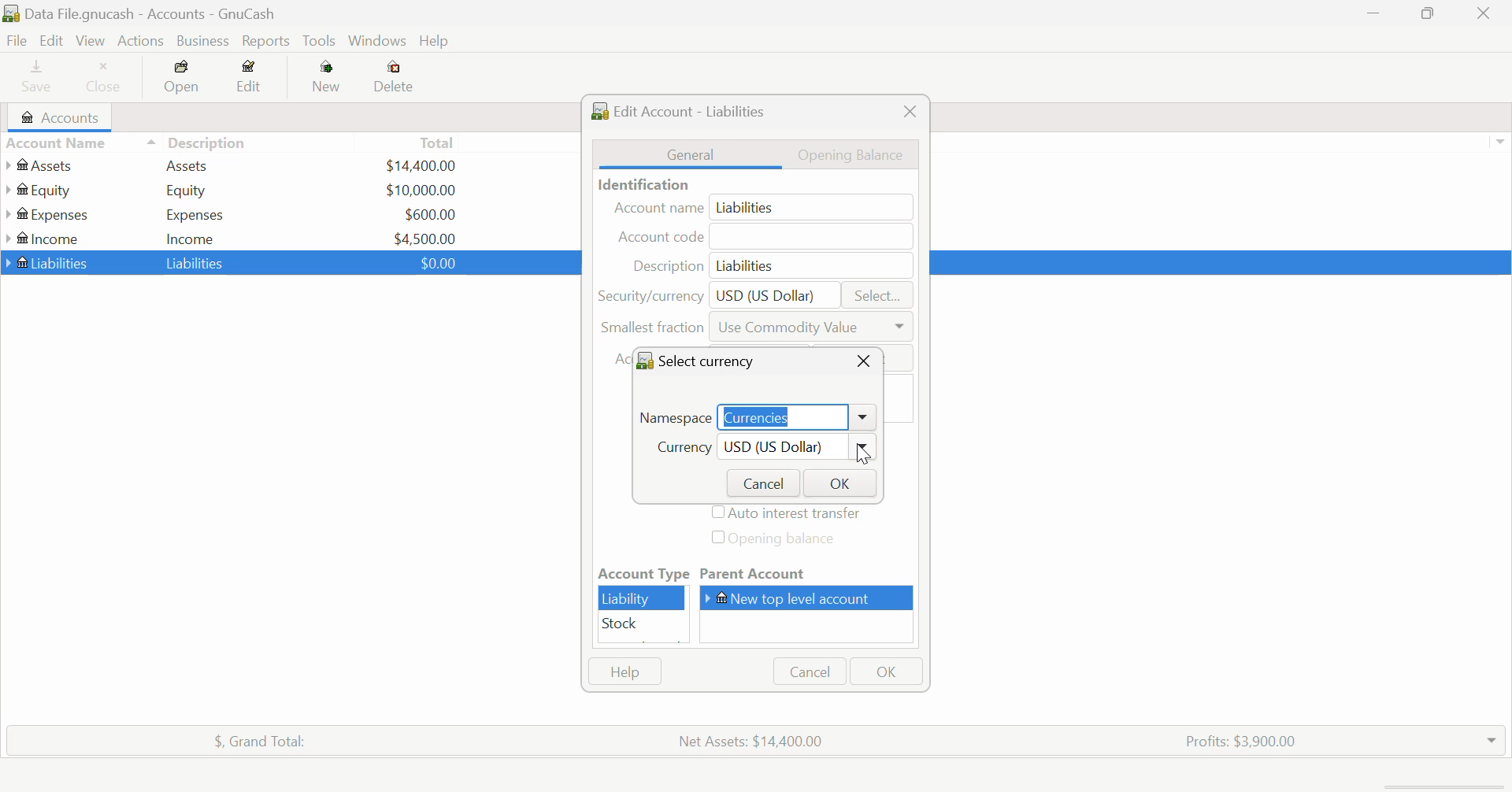 Image resolution: width=1512 pixels, height=792 pixels. What do you see at coordinates (439, 142) in the screenshot?
I see `Total` at bounding box center [439, 142].